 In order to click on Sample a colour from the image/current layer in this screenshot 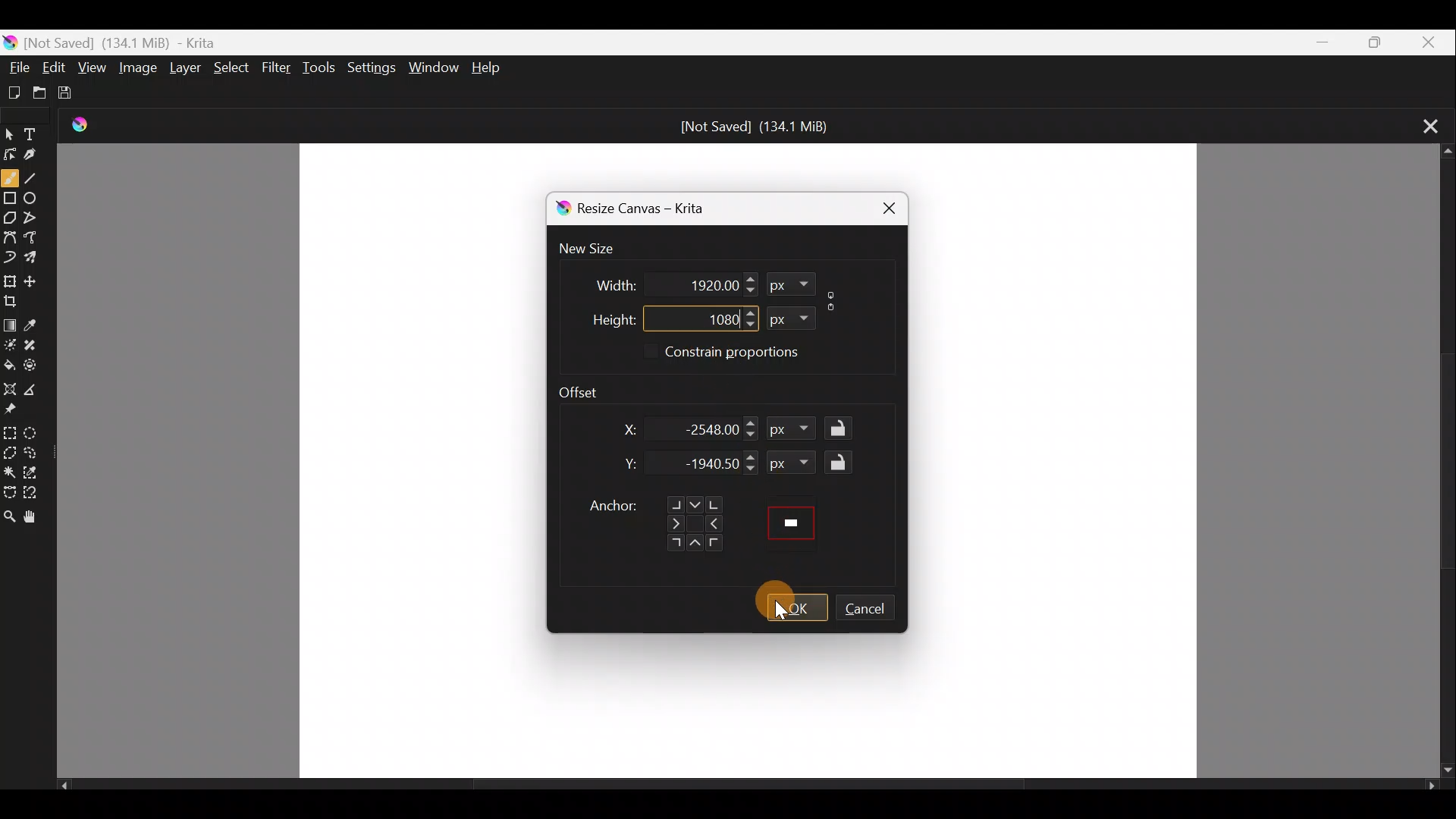, I will do `click(37, 321)`.